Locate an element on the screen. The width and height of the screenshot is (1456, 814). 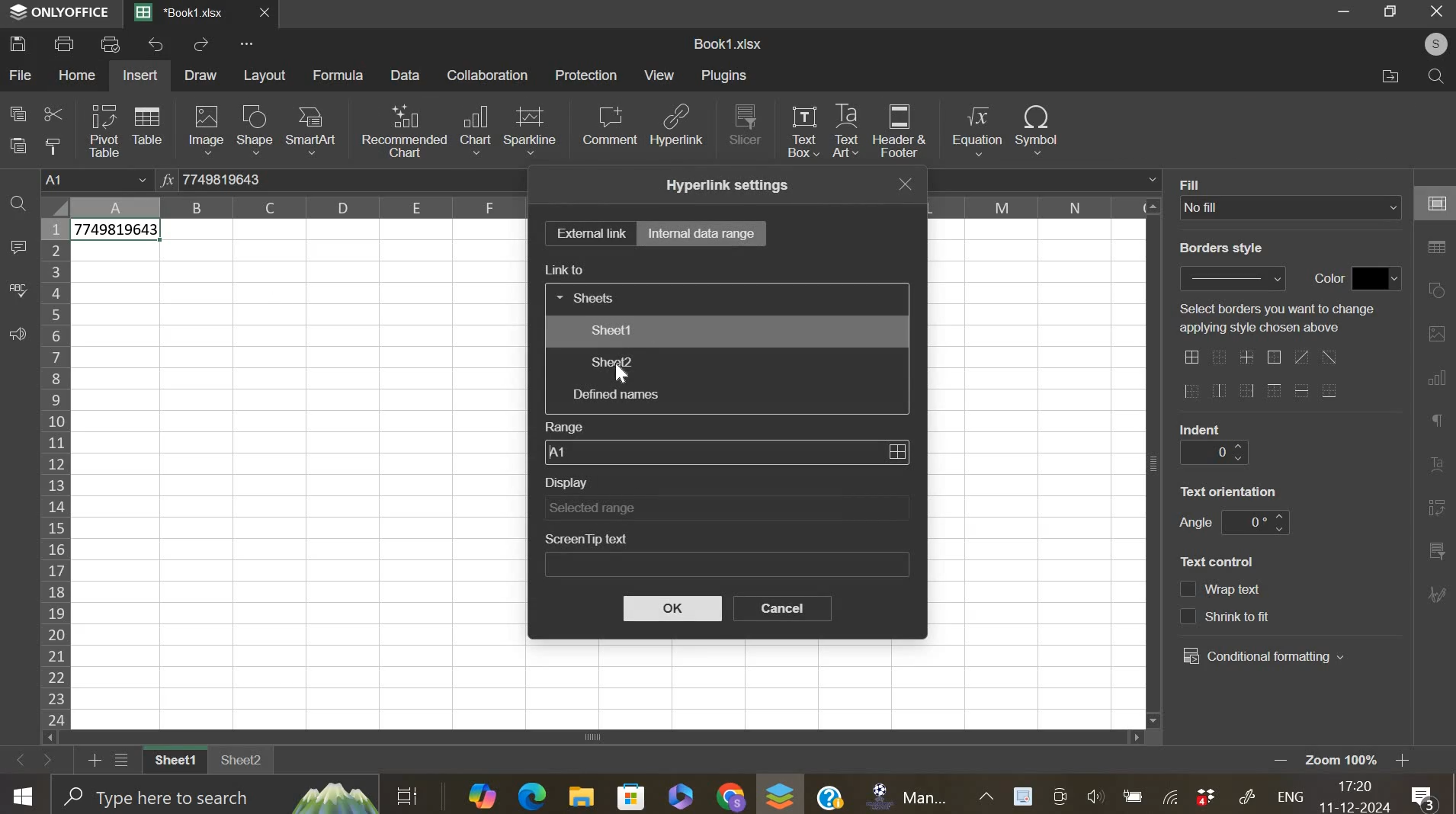
screenTip text is located at coordinates (727, 566).